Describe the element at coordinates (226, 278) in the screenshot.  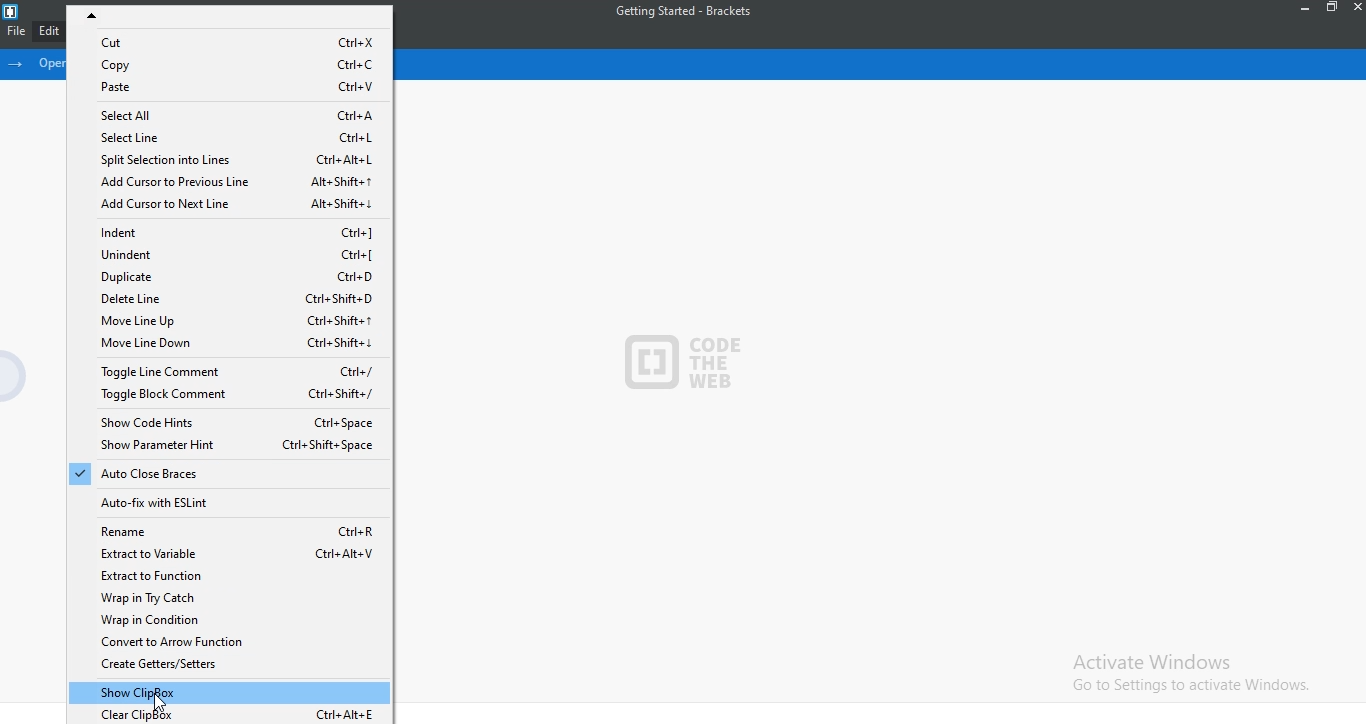
I see `Duplicate` at that location.